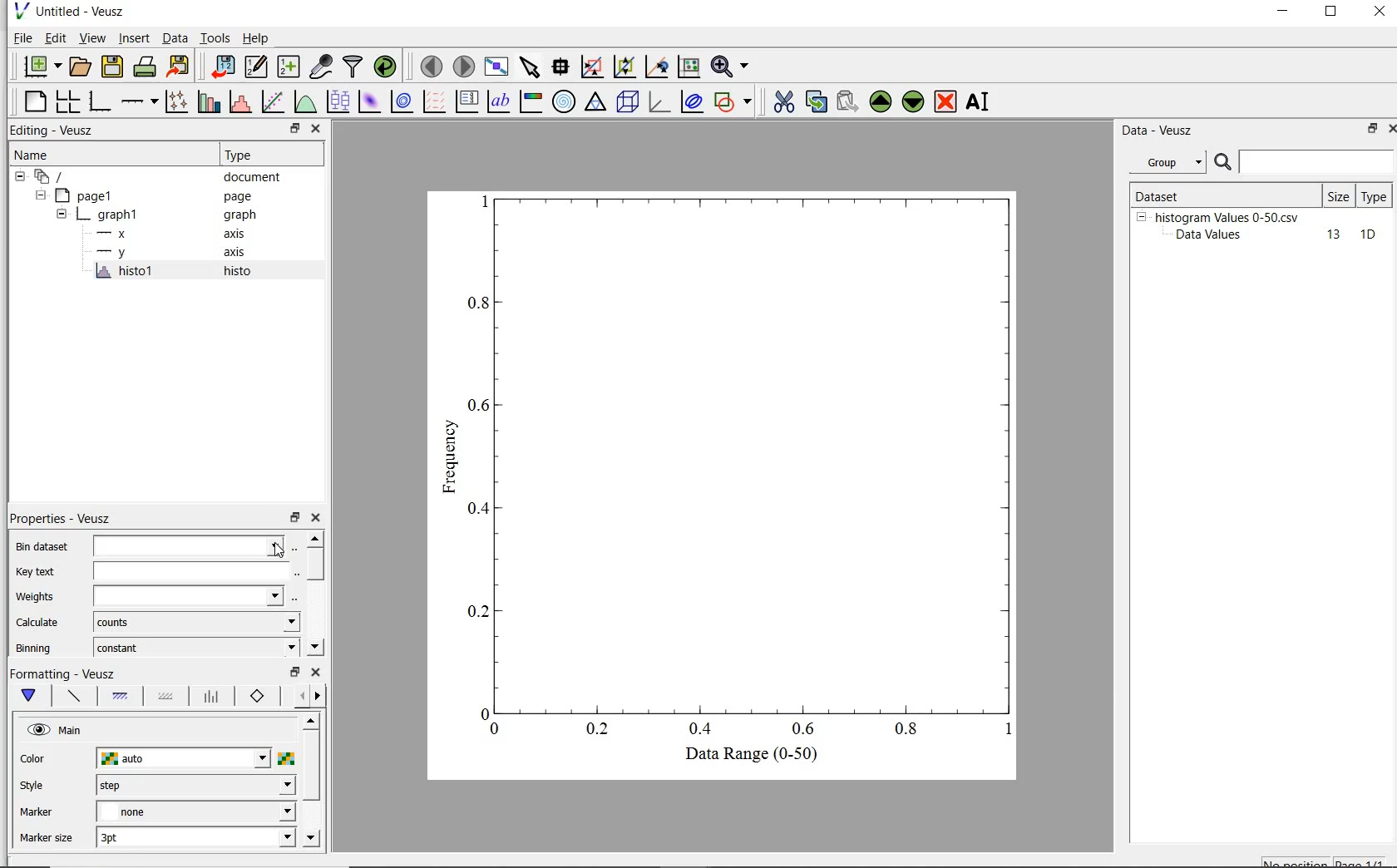  Describe the element at coordinates (624, 67) in the screenshot. I see `click or draw a rectangle to zoom on graph axes` at that location.